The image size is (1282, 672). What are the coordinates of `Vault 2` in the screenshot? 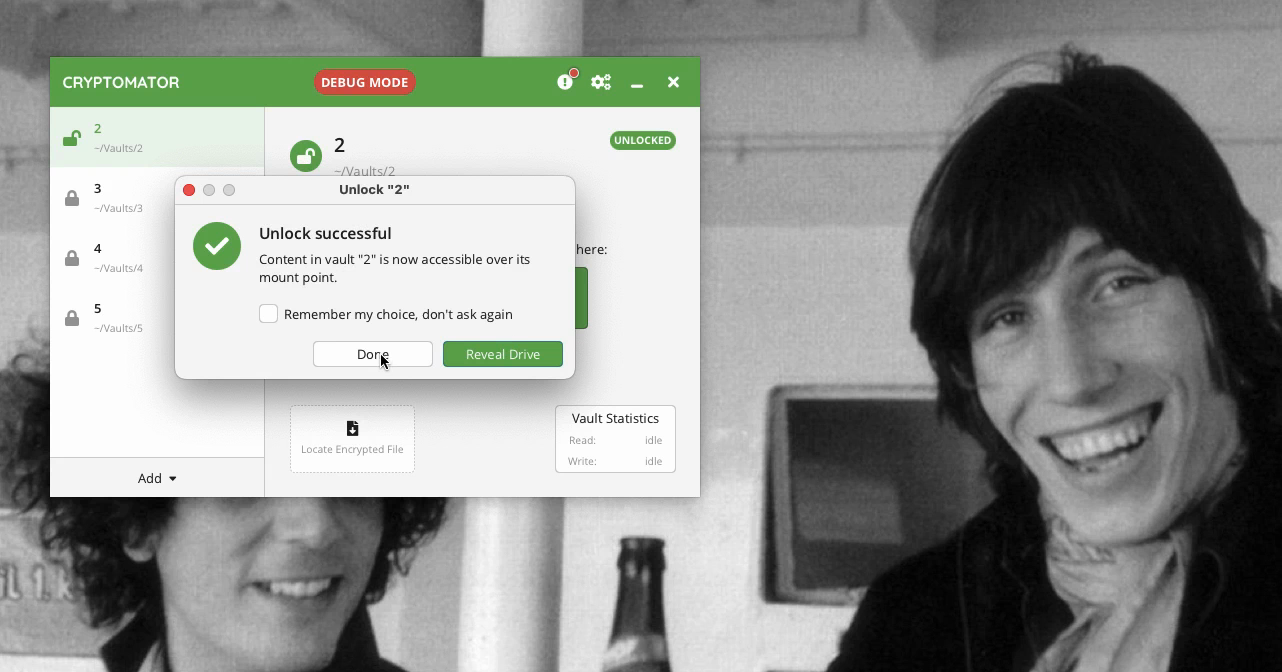 It's located at (375, 154).